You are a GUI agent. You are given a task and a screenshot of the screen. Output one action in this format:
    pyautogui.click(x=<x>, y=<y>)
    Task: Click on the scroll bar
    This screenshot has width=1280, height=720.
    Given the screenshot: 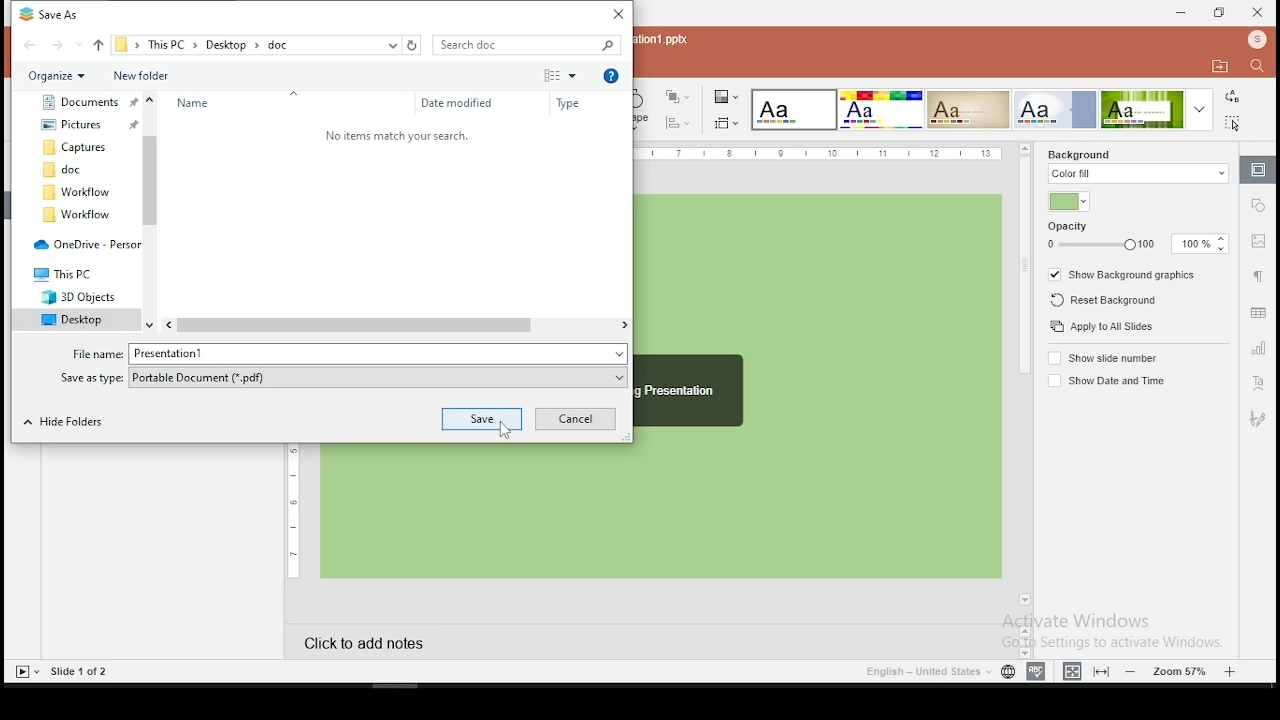 What is the action you would take?
    pyautogui.click(x=1024, y=381)
    